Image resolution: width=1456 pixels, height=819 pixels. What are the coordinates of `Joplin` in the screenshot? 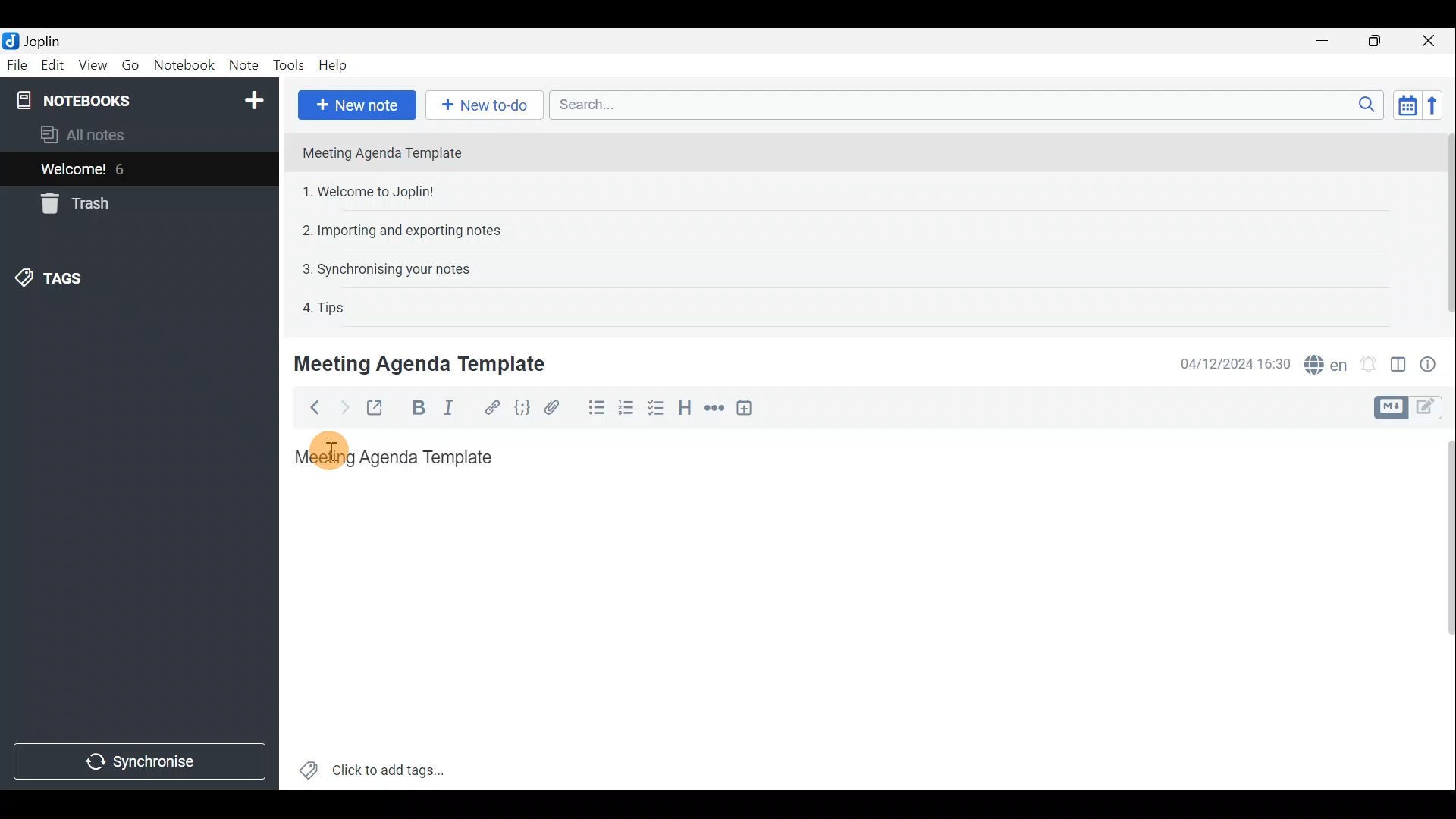 It's located at (42, 40).